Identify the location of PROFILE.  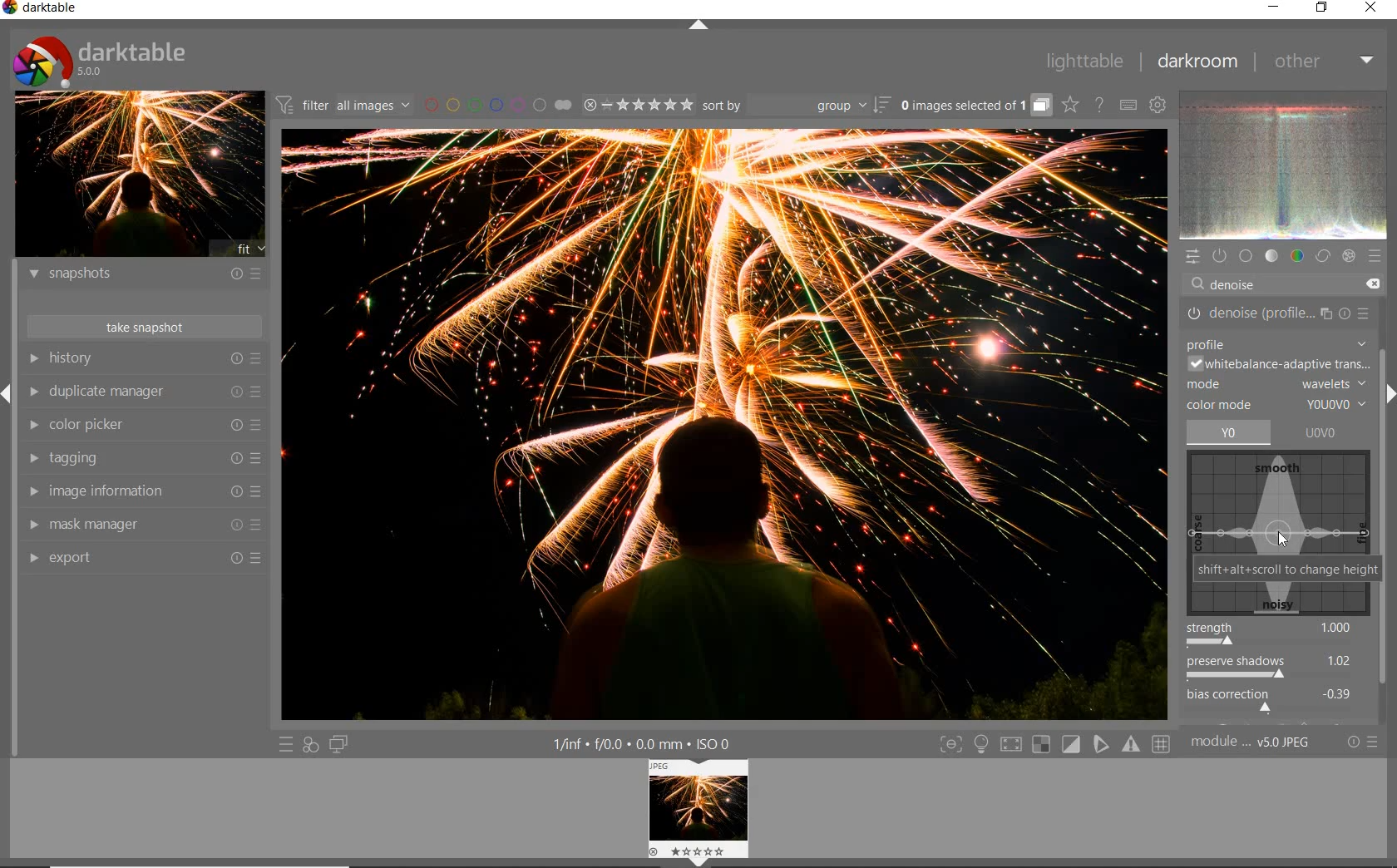
(1278, 343).